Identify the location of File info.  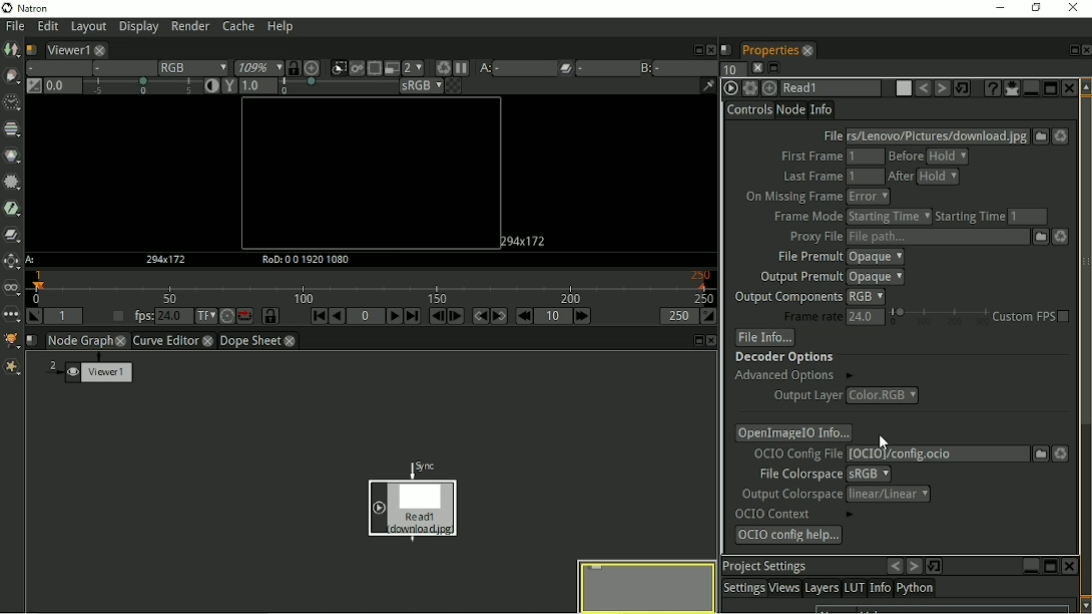
(766, 337).